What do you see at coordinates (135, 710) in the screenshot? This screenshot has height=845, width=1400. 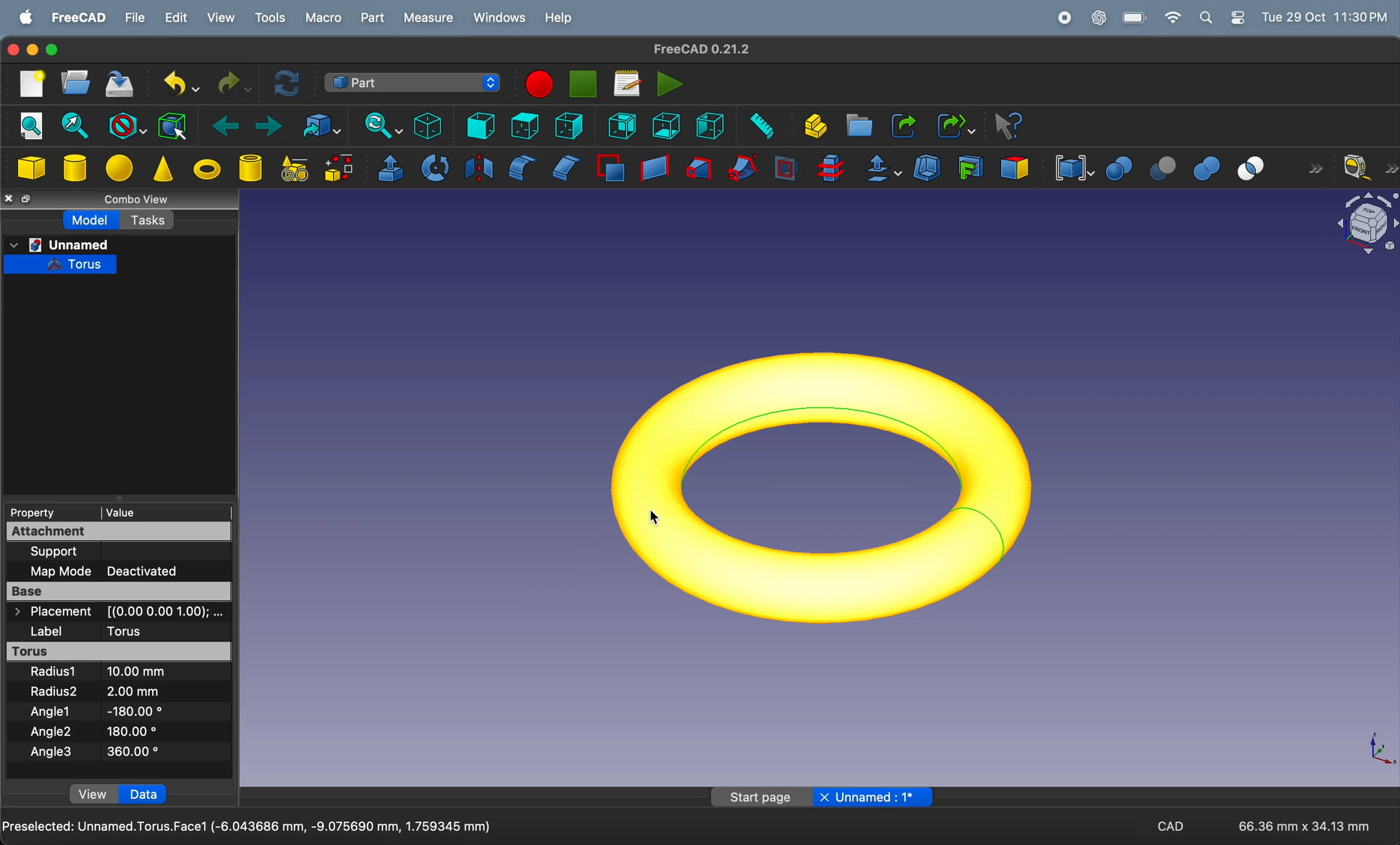 I see `-180.00` at bounding box center [135, 710].